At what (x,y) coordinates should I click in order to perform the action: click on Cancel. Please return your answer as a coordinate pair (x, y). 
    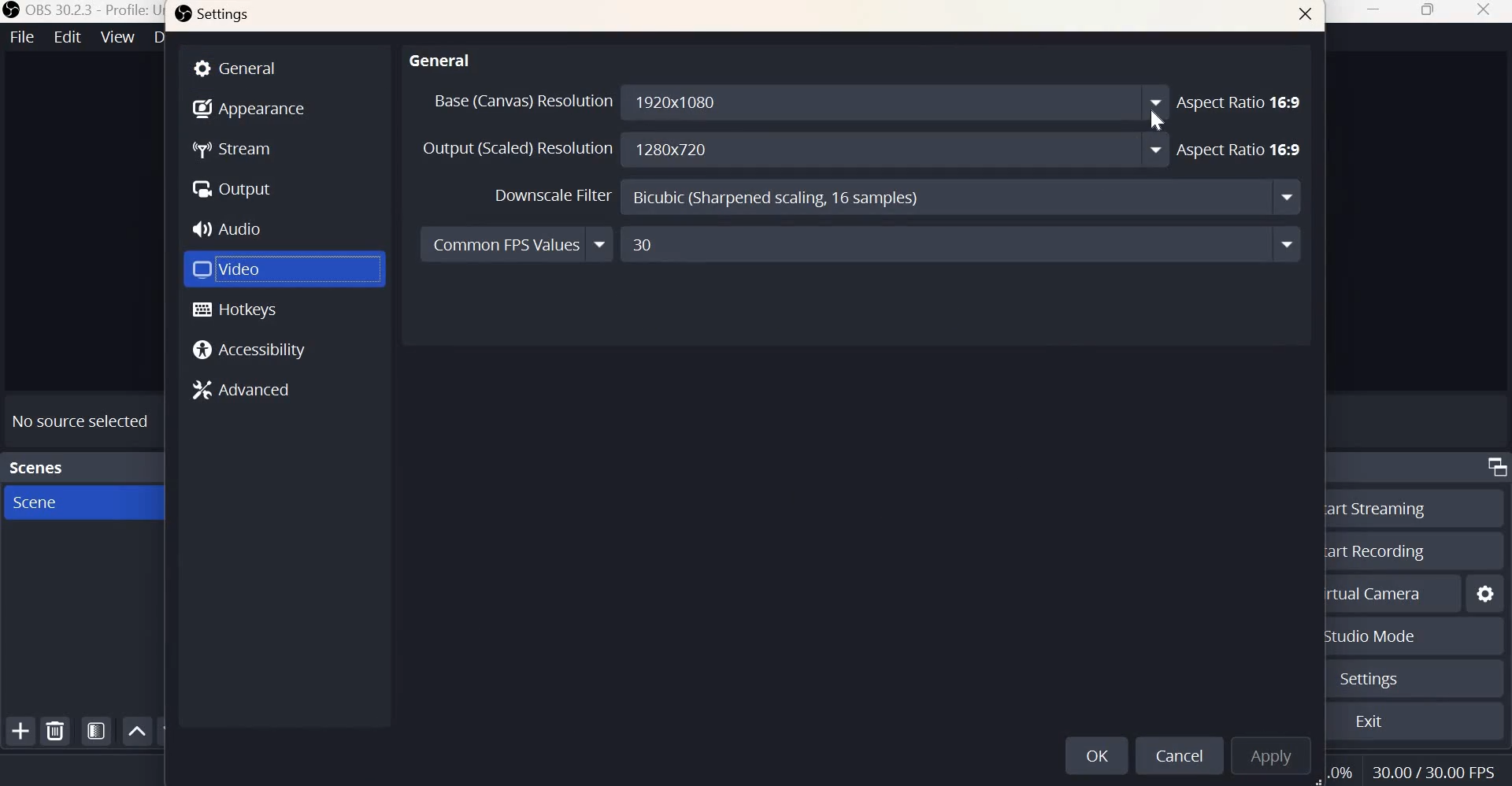
    Looking at the image, I should click on (1177, 754).